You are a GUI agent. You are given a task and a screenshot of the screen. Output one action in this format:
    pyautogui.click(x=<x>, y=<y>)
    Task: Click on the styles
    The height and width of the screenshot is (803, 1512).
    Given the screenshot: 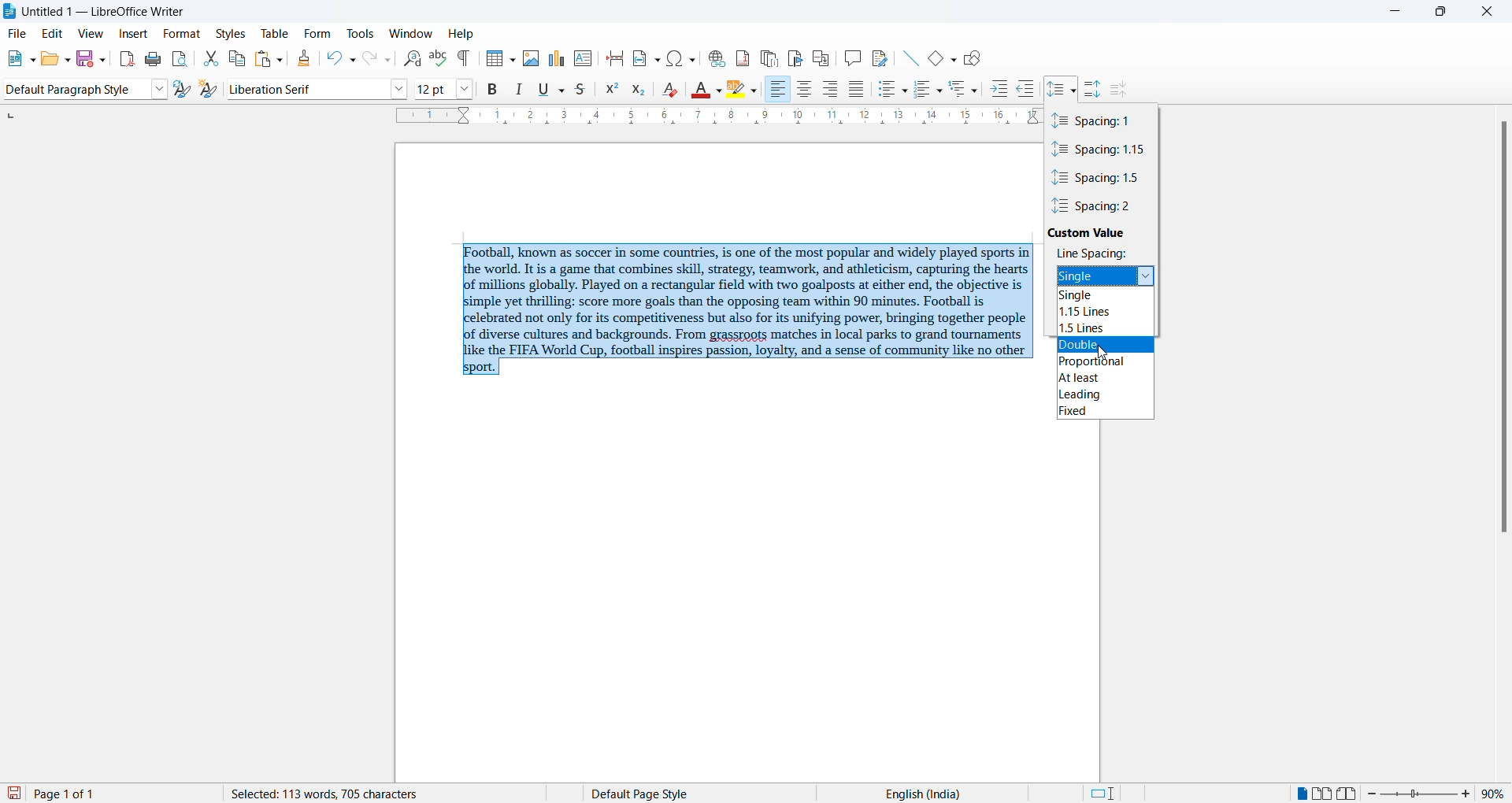 What is the action you would take?
    pyautogui.click(x=231, y=34)
    